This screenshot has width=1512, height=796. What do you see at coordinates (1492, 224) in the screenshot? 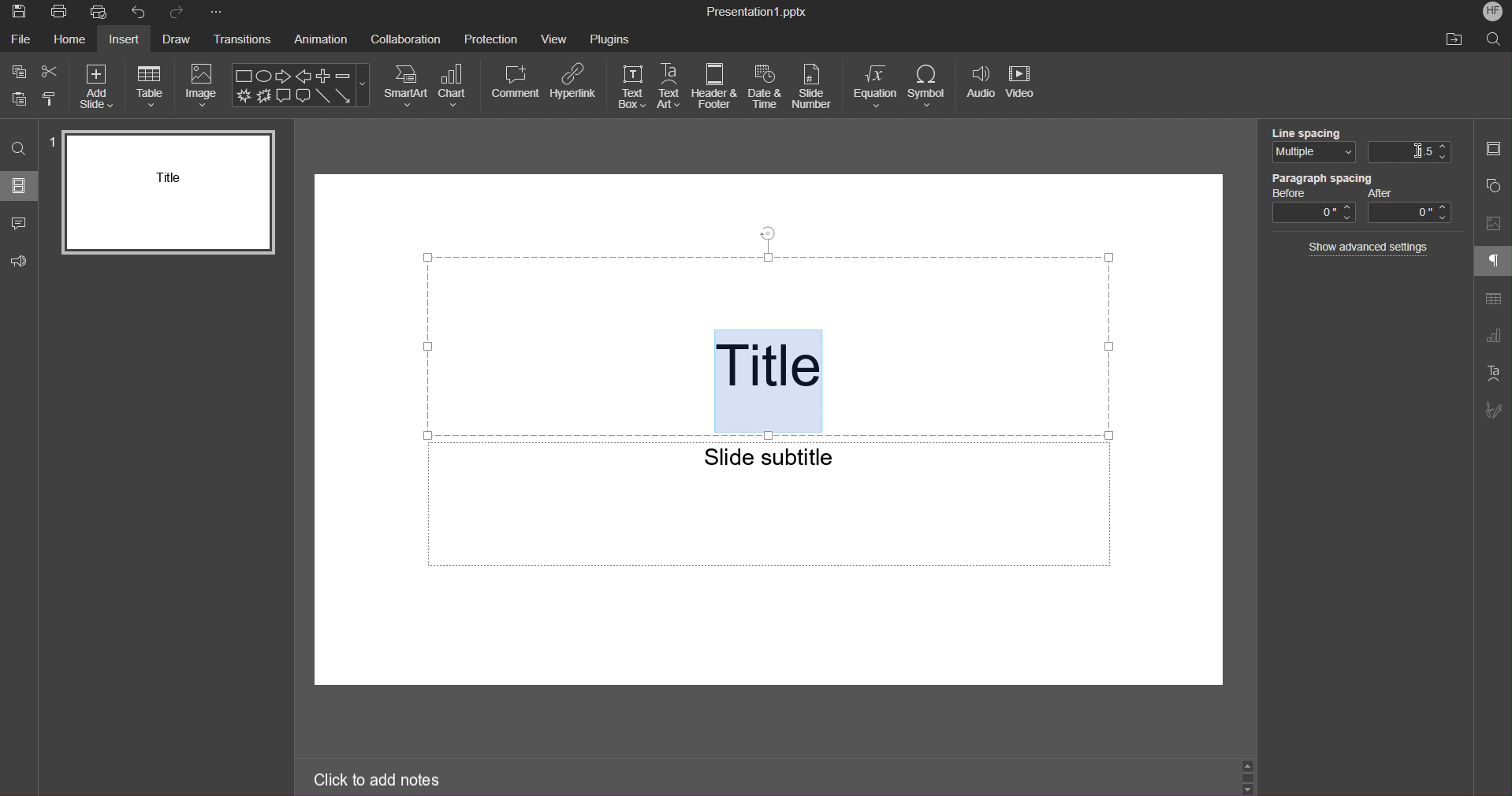
I see `Image Settings` at bounding box center [1492, 224].